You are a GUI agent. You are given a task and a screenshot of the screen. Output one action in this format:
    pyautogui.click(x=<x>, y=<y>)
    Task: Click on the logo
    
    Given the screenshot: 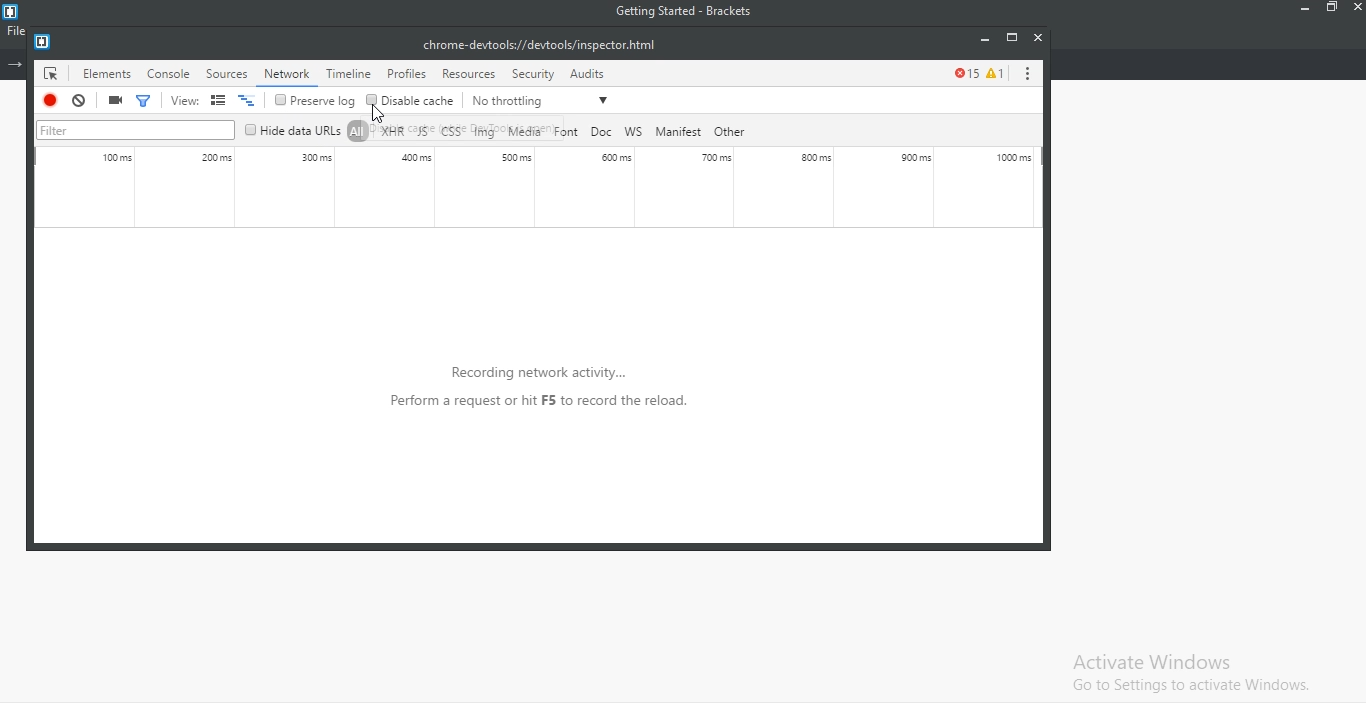 What is the action you would take?
    pyautogui.click(x=43, y=39)
    